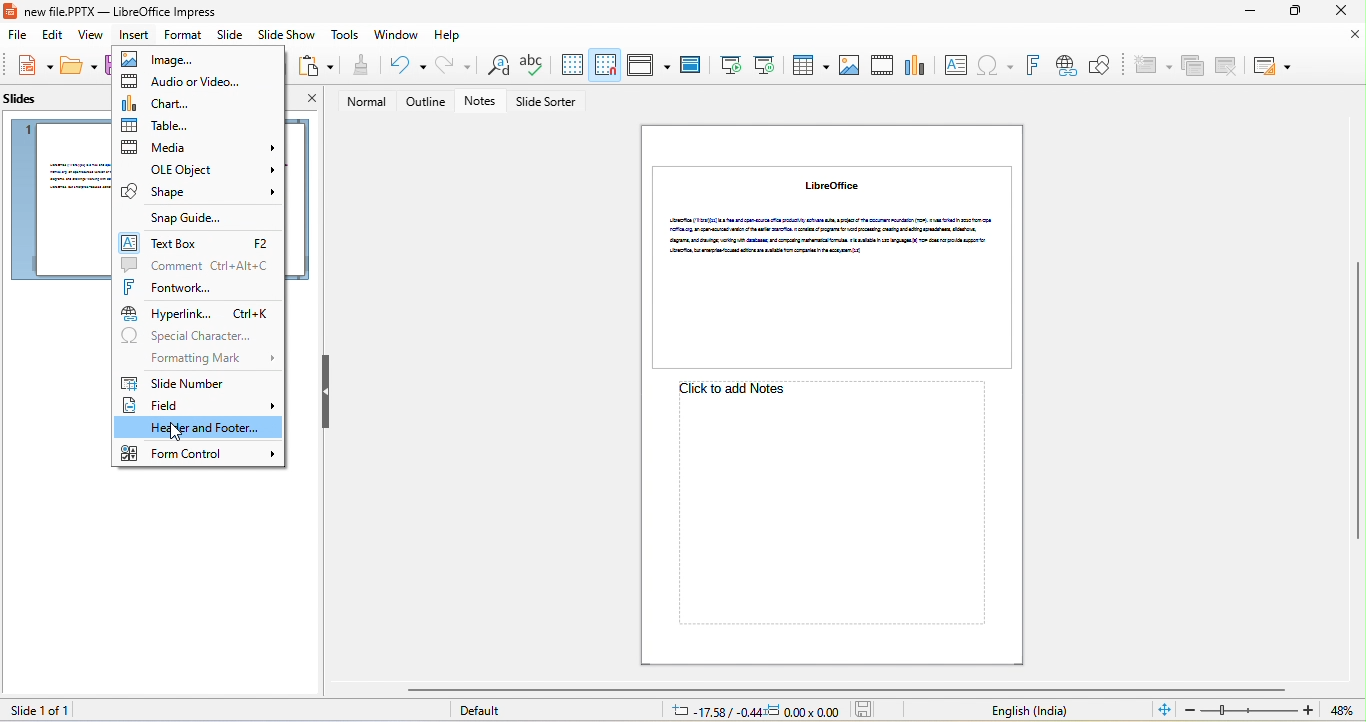 This screenshot has width=1366, height=722. What do you see at coordinates (1356, 35) in the screenshot?
I see `close` at bounding box center [1356, 35].